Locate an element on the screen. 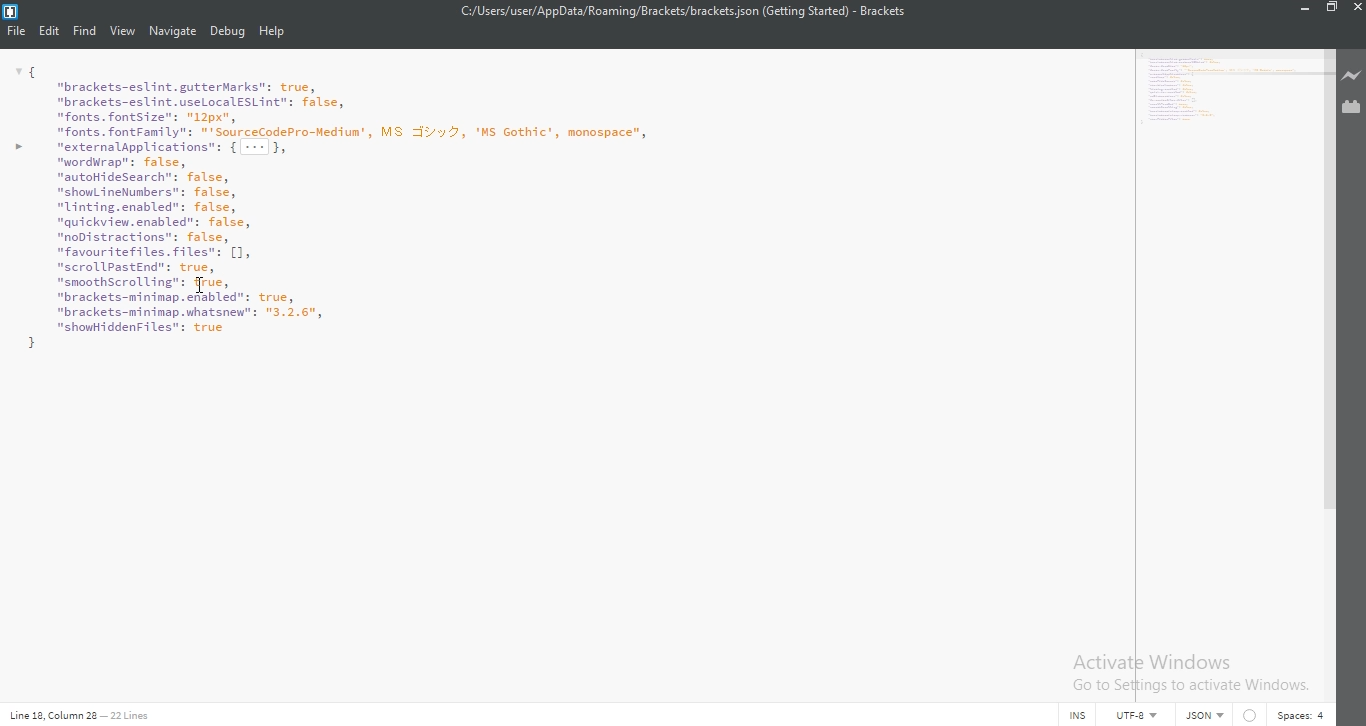 The height and width of the screenshot is (726, 1366). Close is located at coordinates (1357, 8).